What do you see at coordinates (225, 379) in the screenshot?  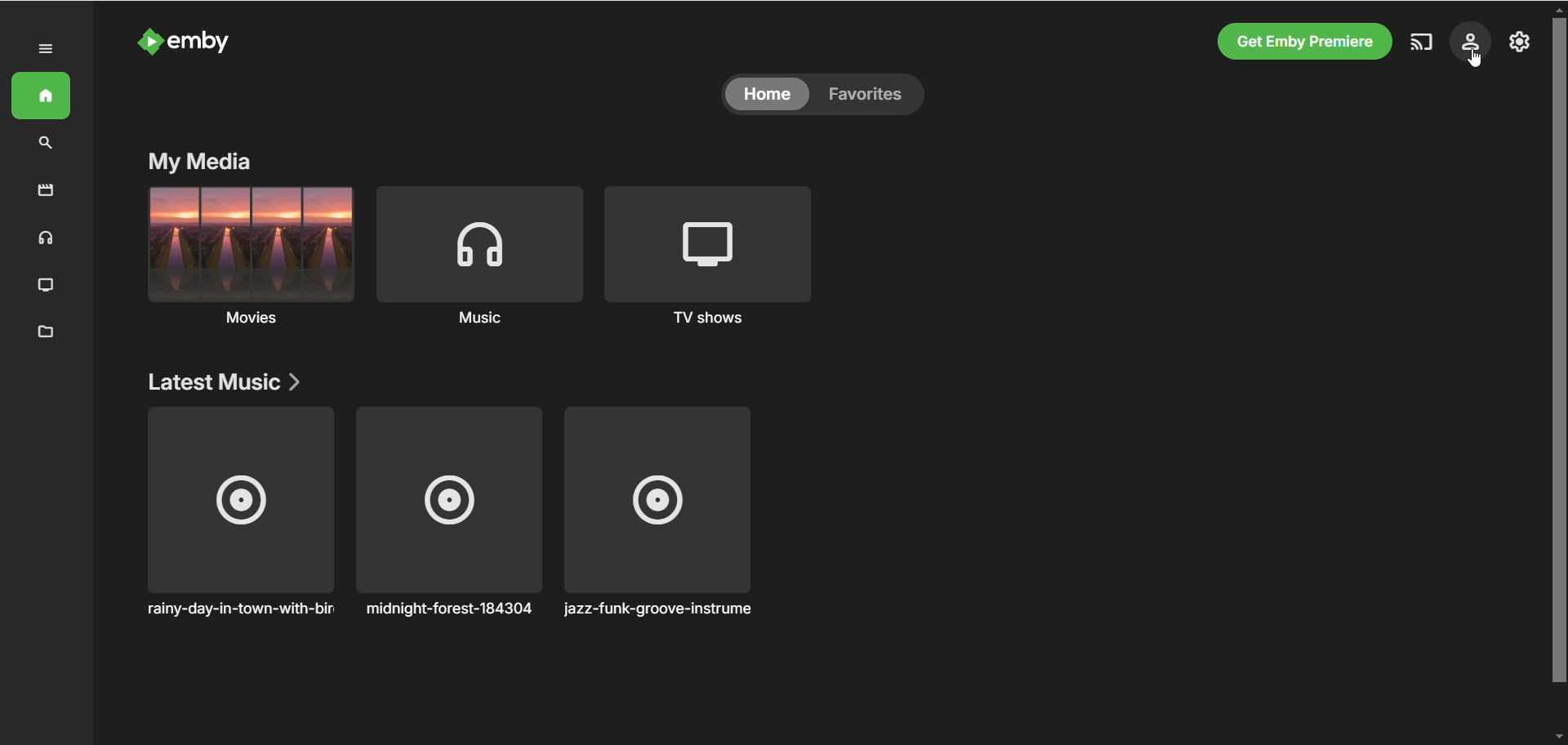 I see `latest music` at bounding box center [225, 379].